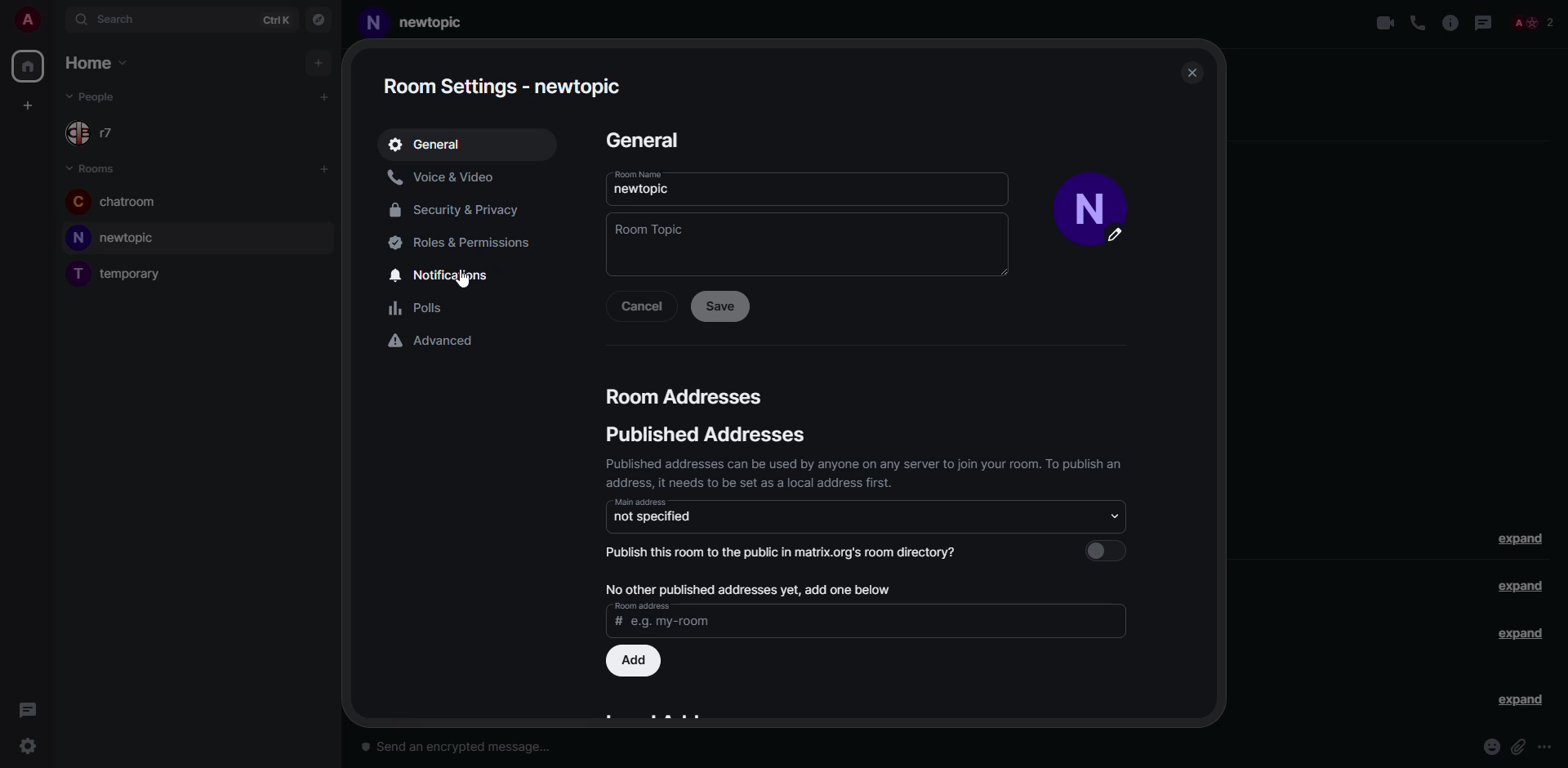  Describe the element at coordinates (1418, 25) in the screenshot. I see `voice` at that location.